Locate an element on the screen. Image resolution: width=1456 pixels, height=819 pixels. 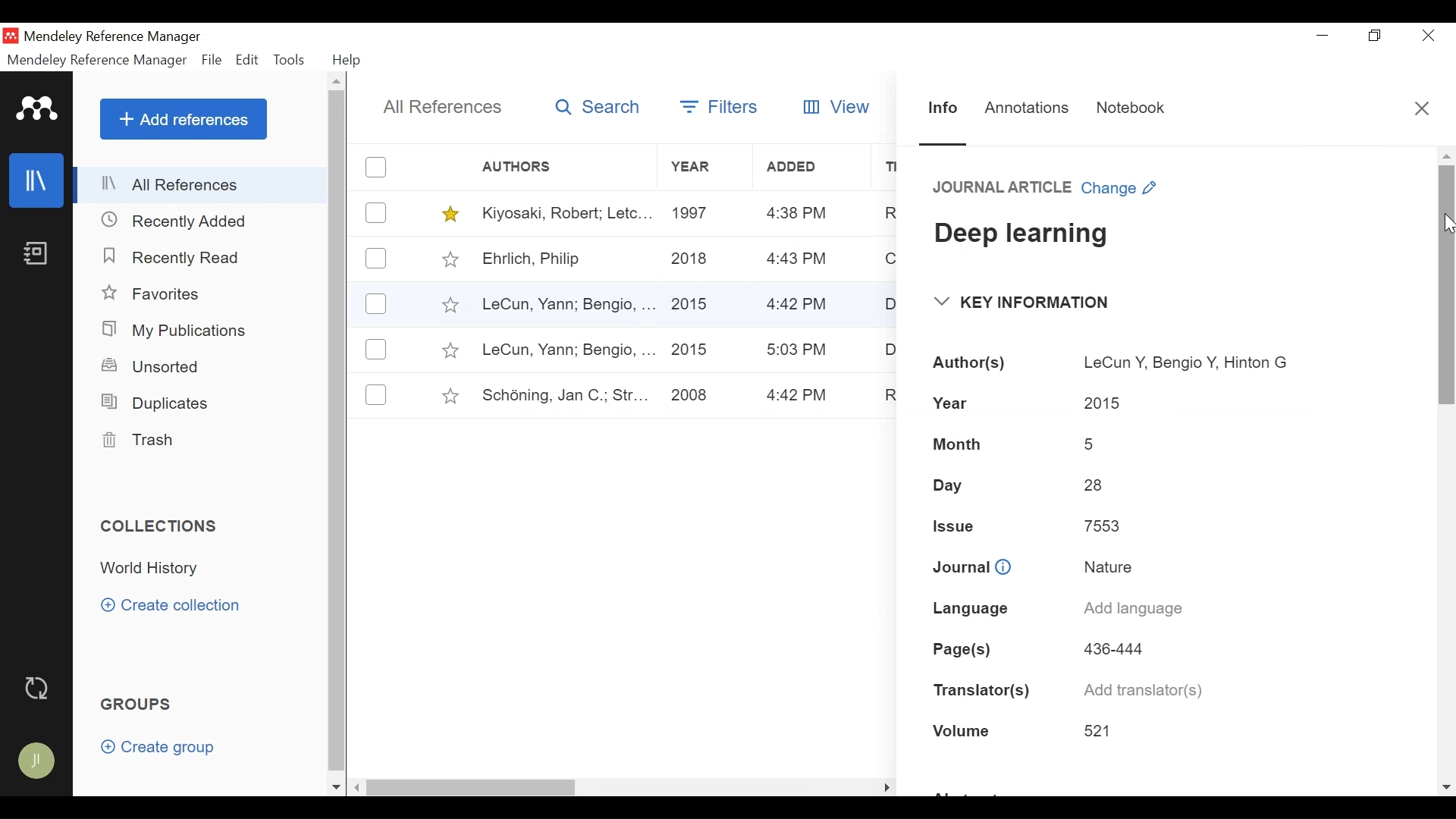
Deep learning is located at coordinates (1150, 230).